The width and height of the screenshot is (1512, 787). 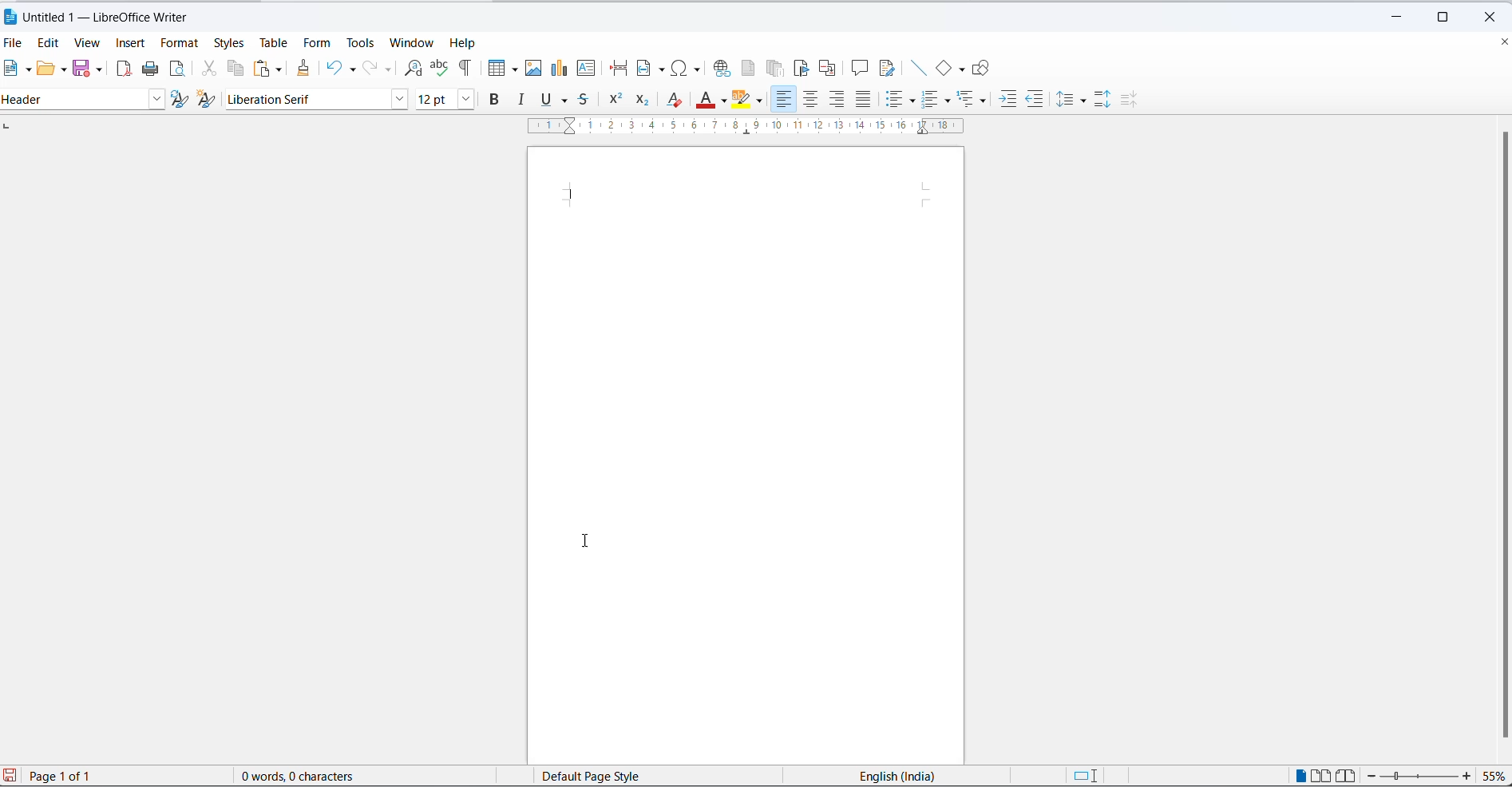 What do you see at coordinates (467, 68) in the screenshot?
I see `toggle formatting marks` at bounding box center [467, 68].